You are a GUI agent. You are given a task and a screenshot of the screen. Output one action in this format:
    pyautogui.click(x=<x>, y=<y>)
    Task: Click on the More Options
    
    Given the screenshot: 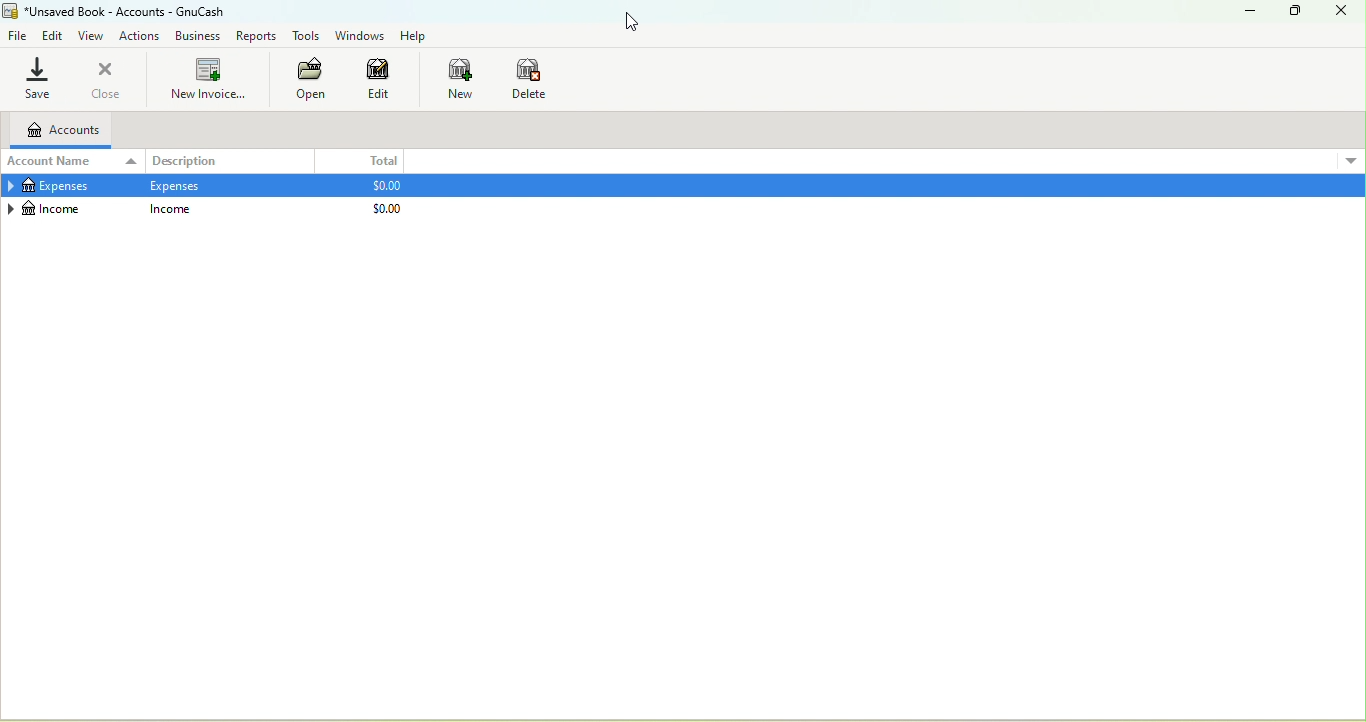 What is the action you would take?
    pyautogui.click(x=1351, y=159)
    